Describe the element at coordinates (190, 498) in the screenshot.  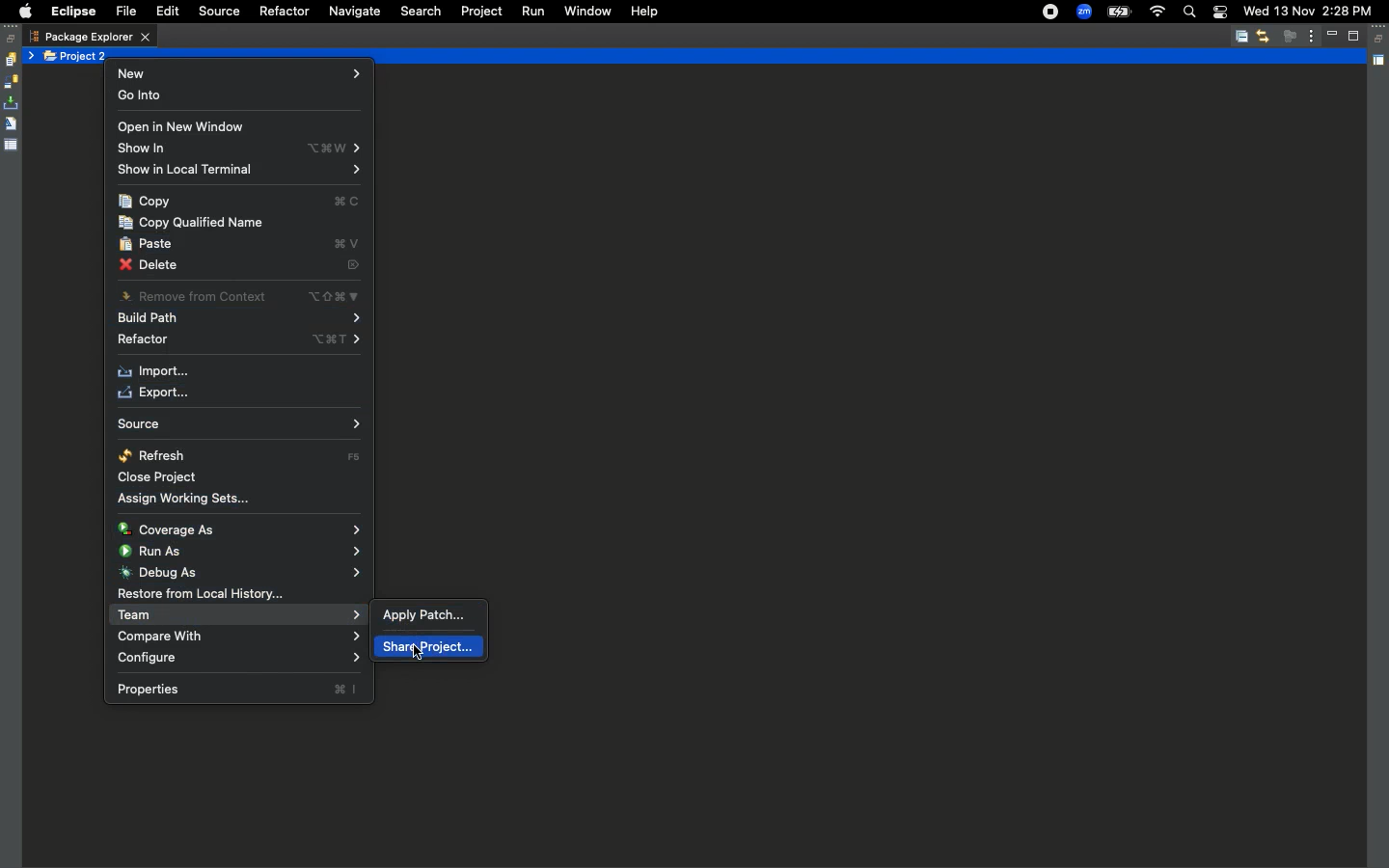
I see `Assign working sets` at that location.